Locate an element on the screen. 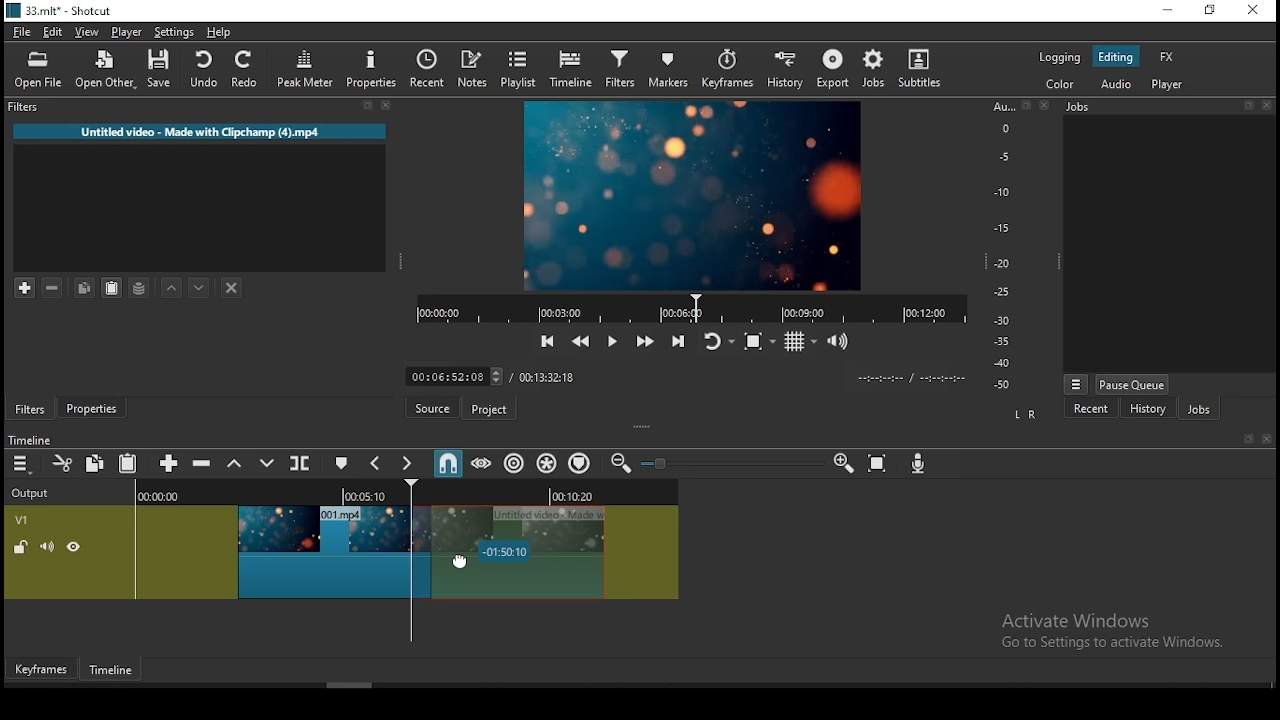 Image resolution: width=1280 pixels, height=720 pixels. properties is located at coordinates (371, 69).